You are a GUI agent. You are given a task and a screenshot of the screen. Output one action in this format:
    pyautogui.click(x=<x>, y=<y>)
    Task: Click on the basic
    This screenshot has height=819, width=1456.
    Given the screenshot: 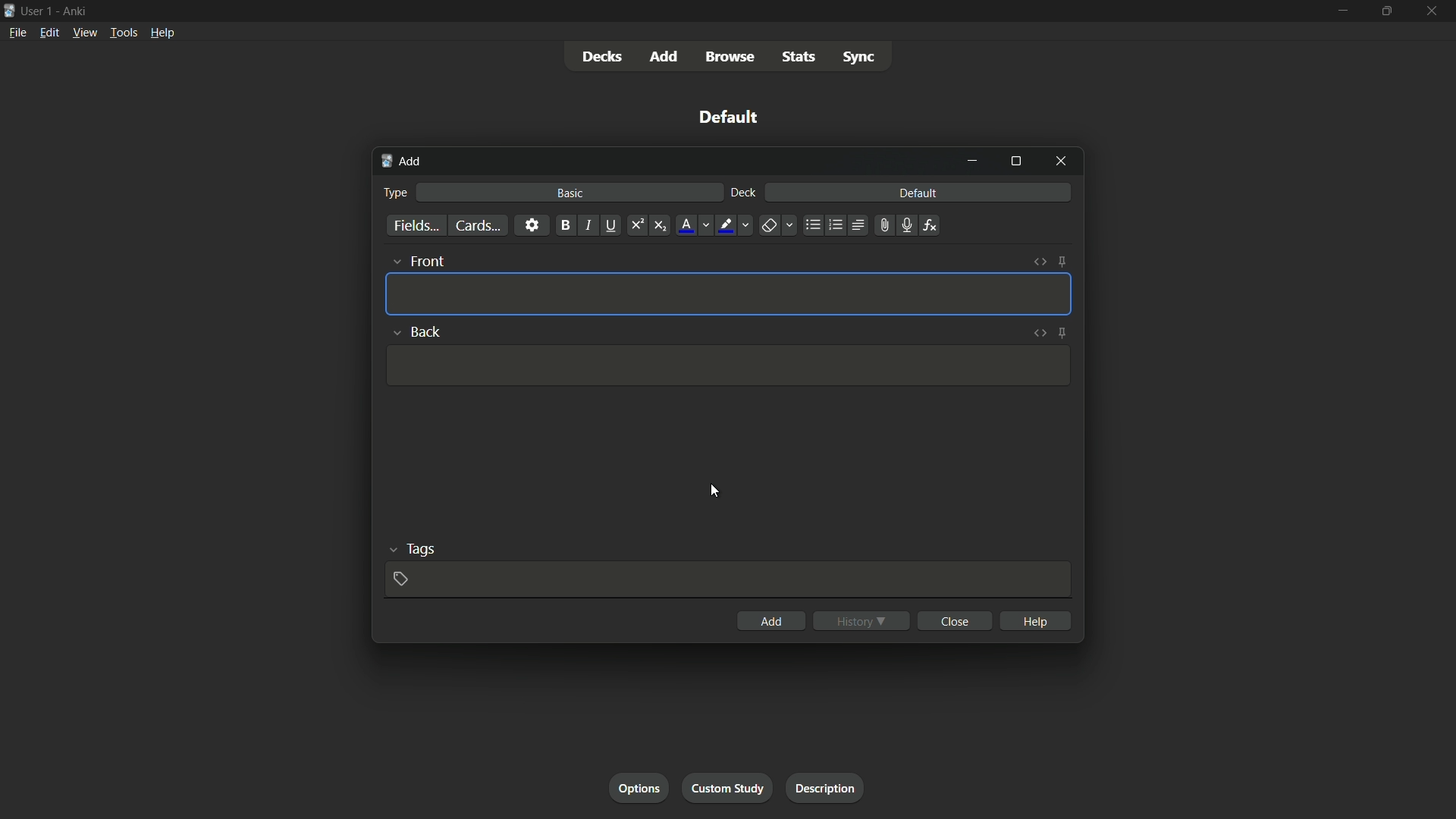 What is the action you would take?
    pyautogui.click(x=571, y=193)
    